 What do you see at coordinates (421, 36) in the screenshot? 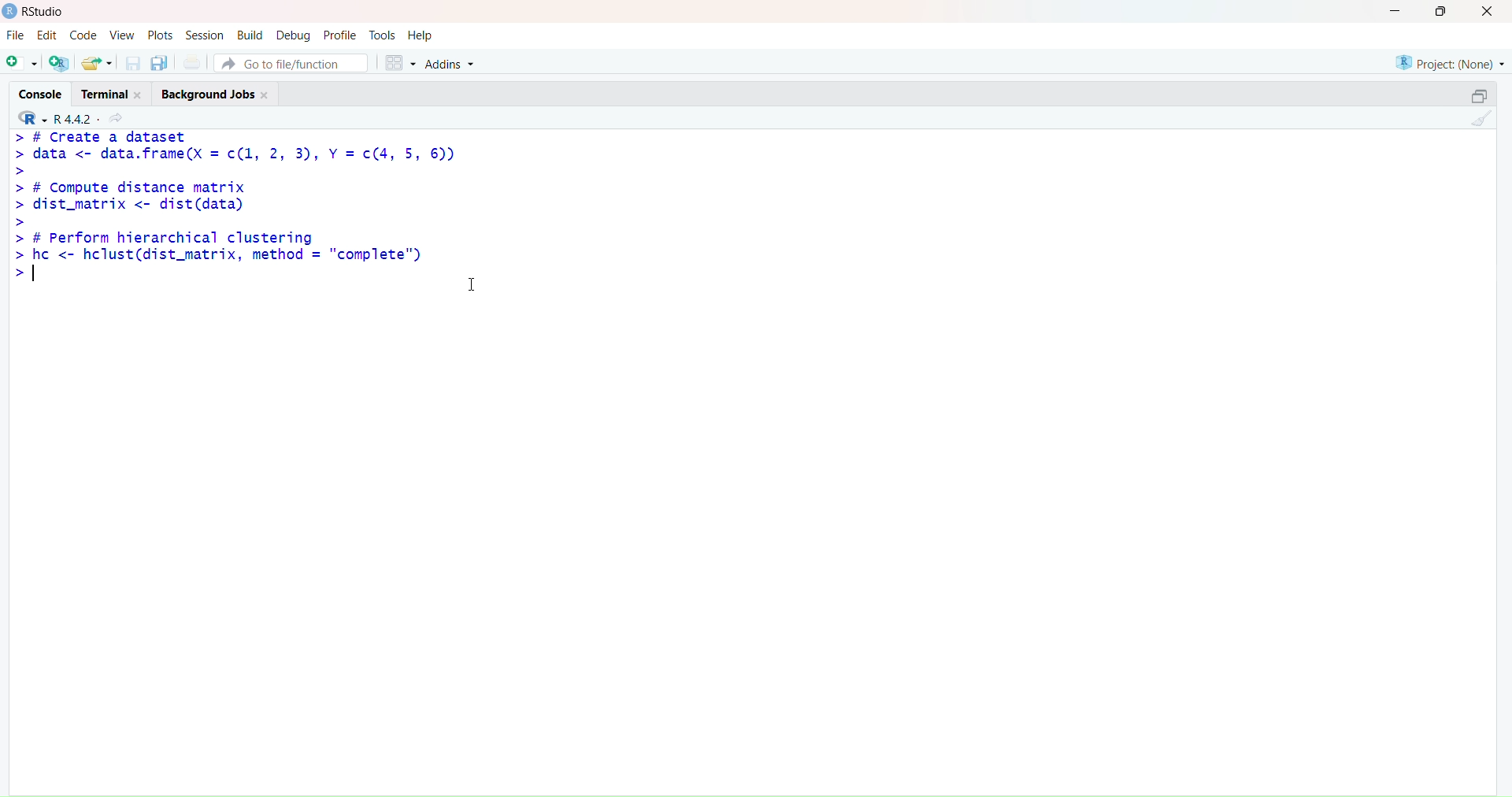
I see `Help` at bounding box center [421, 36].